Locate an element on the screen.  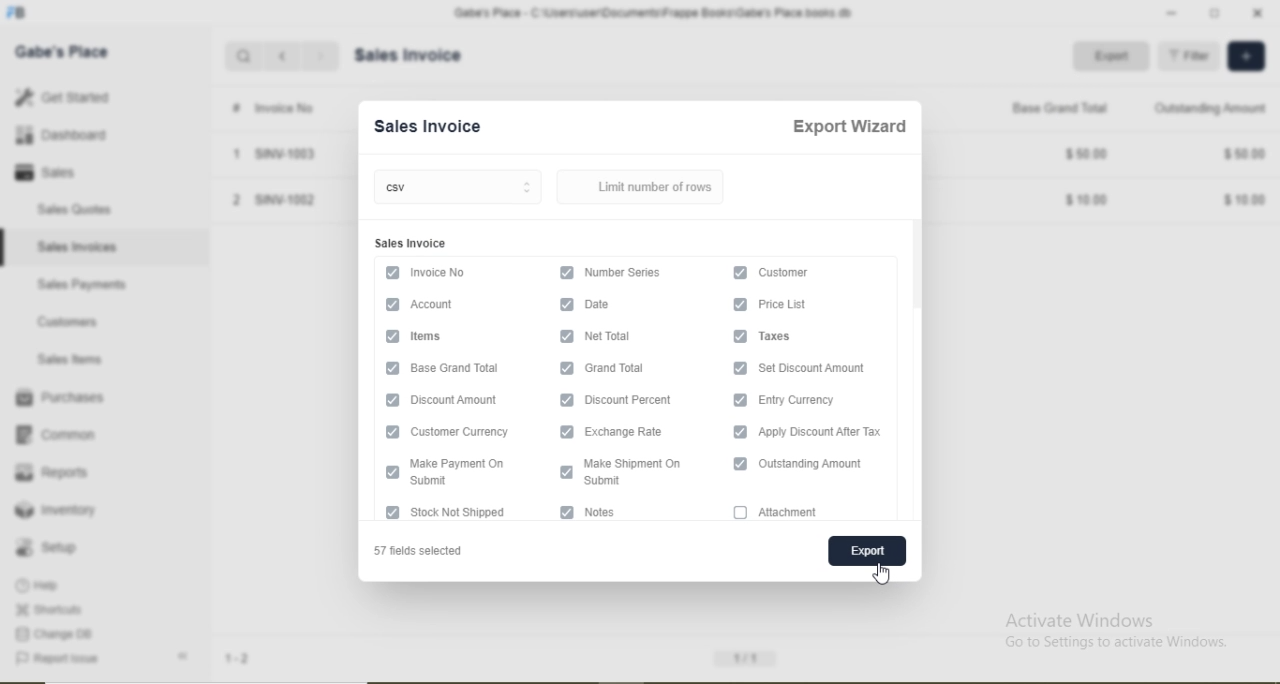
Grand Total is located at coordinates (627, 369).